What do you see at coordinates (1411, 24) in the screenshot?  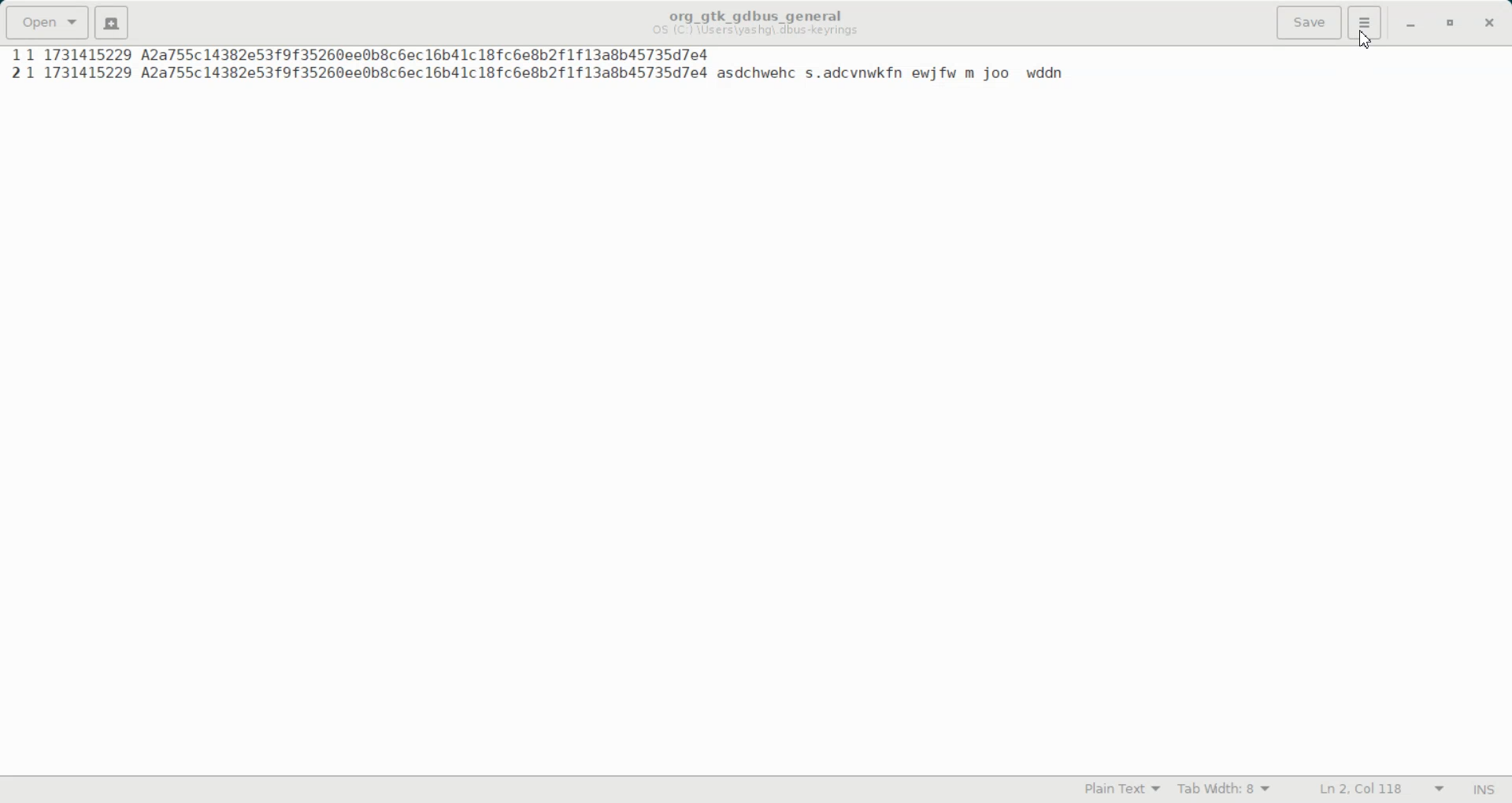 I see `Minimize` at bounding box center [1411, 24].